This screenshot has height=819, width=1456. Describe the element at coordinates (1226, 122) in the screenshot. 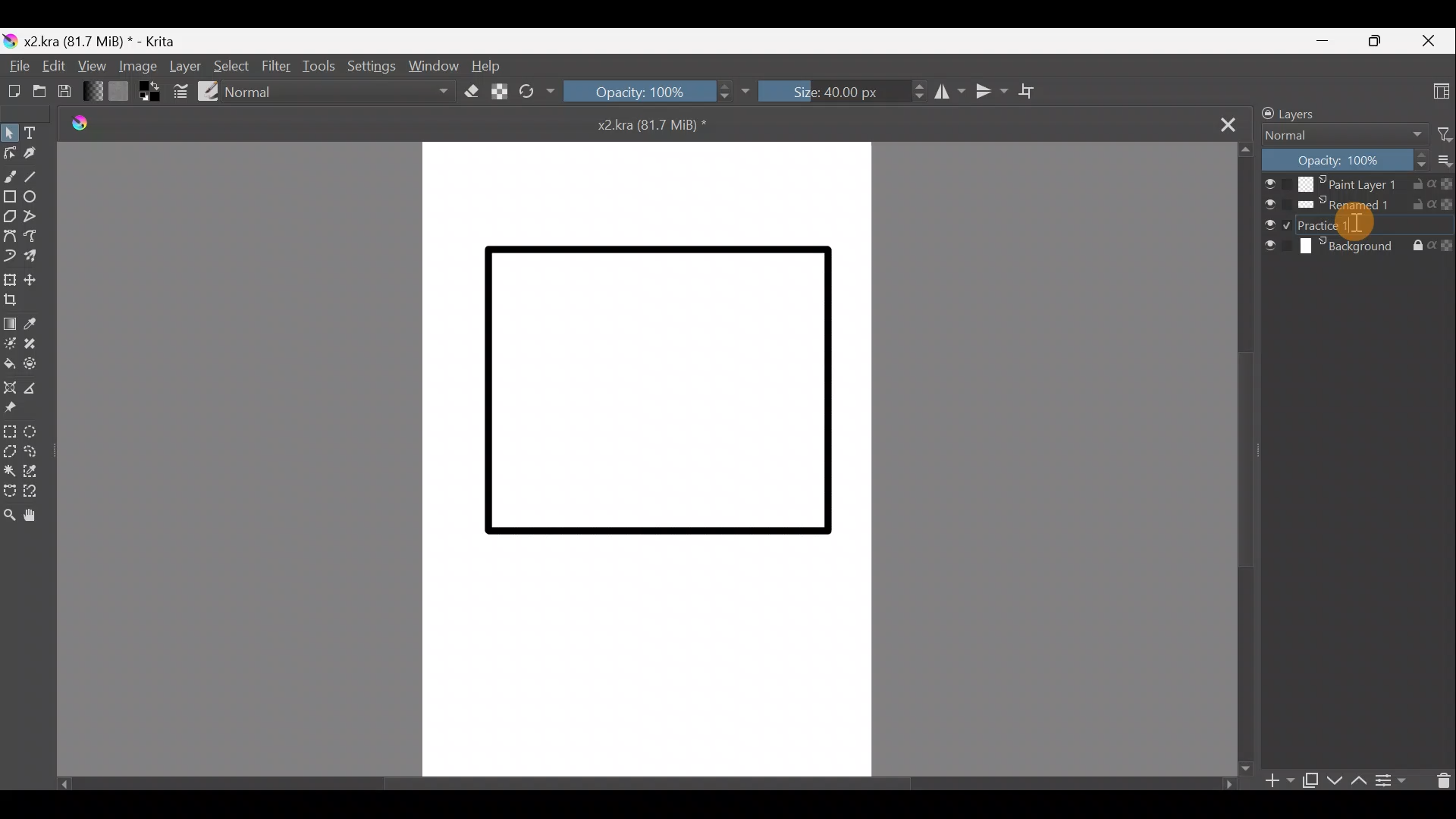

I see `Close tab` at that location.